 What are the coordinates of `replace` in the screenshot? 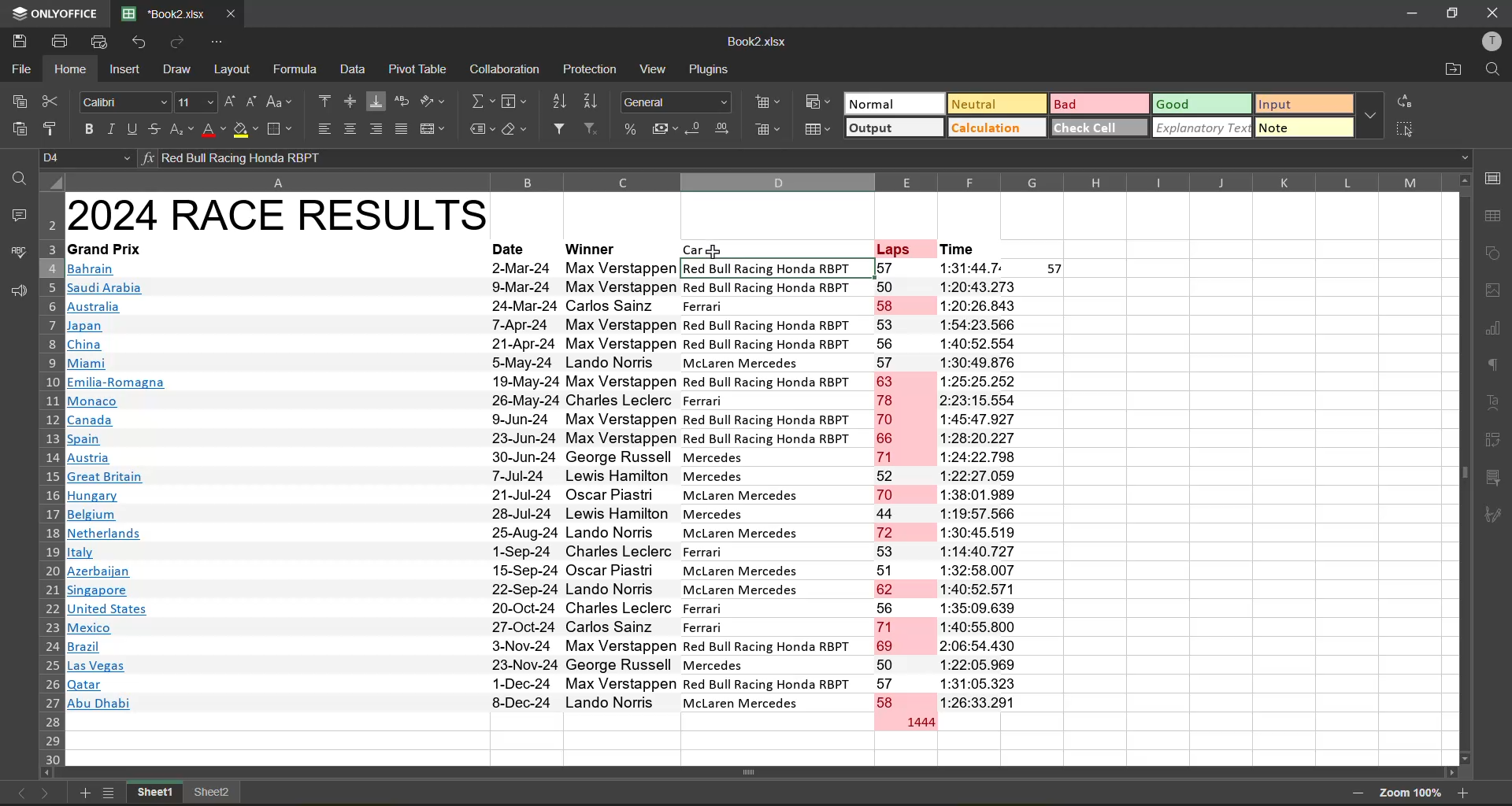 It's located at (1403, 102).